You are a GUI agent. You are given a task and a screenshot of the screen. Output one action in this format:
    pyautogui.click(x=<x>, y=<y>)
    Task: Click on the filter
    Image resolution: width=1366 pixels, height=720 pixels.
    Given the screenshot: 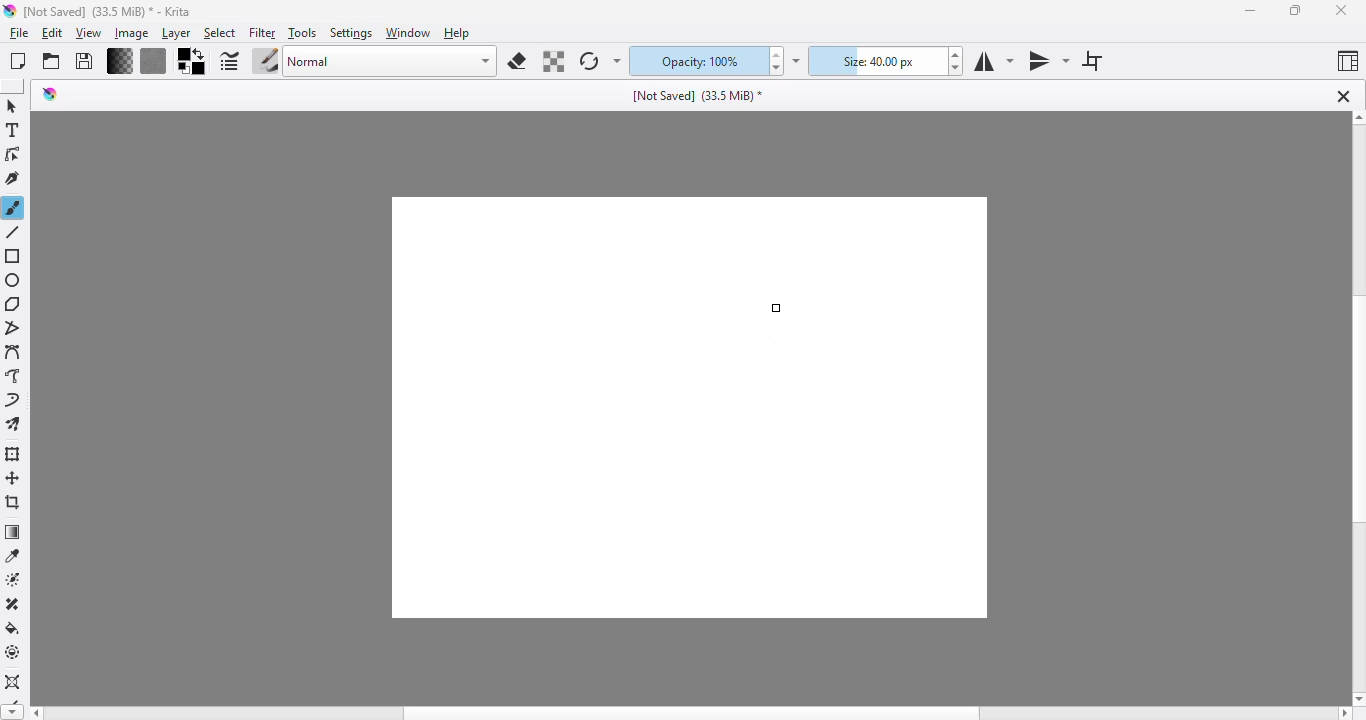 What is the action you would take?
    pyautogui.click(x=263, y=33)
    